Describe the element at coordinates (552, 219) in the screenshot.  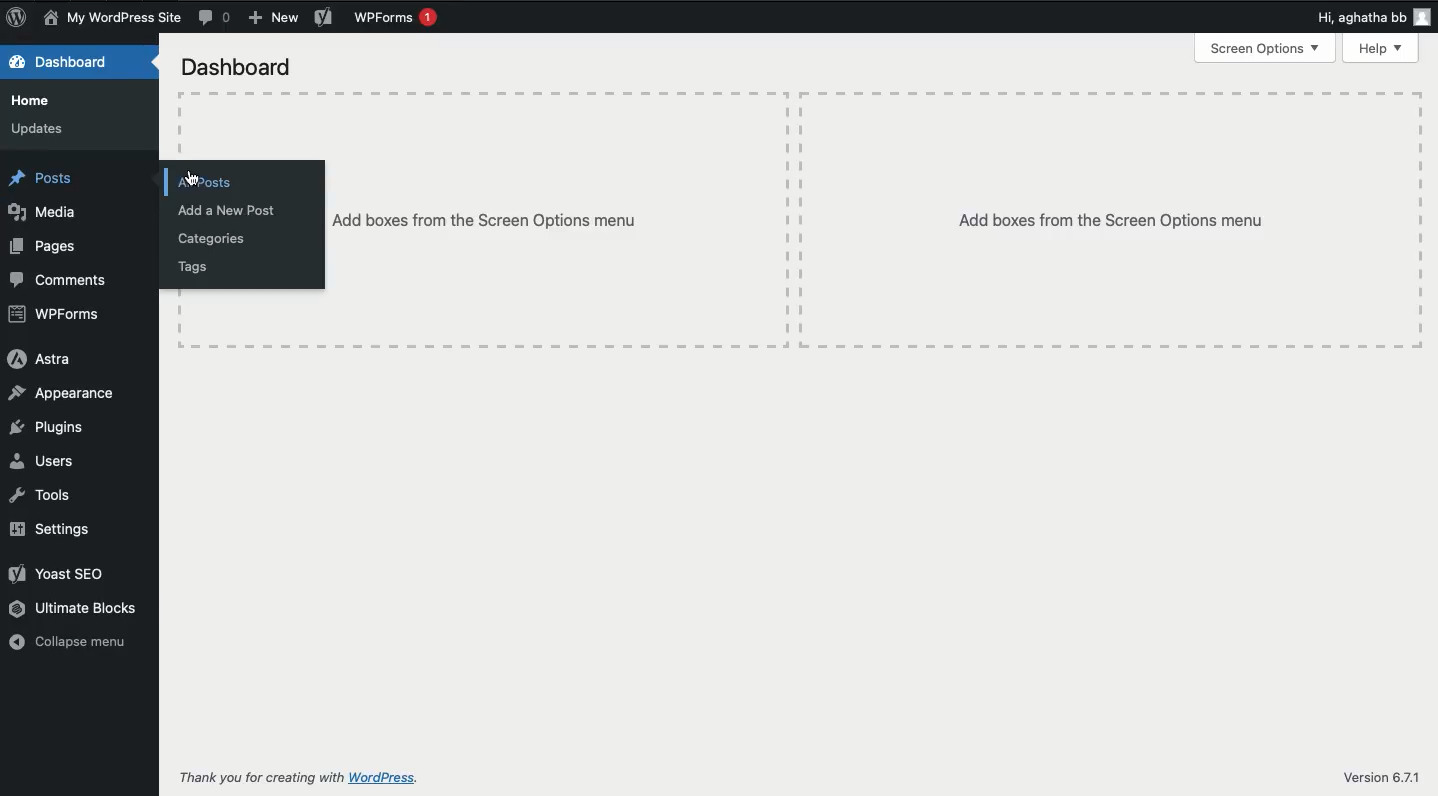
I see `Add boxes from screen options menu ` at that location.